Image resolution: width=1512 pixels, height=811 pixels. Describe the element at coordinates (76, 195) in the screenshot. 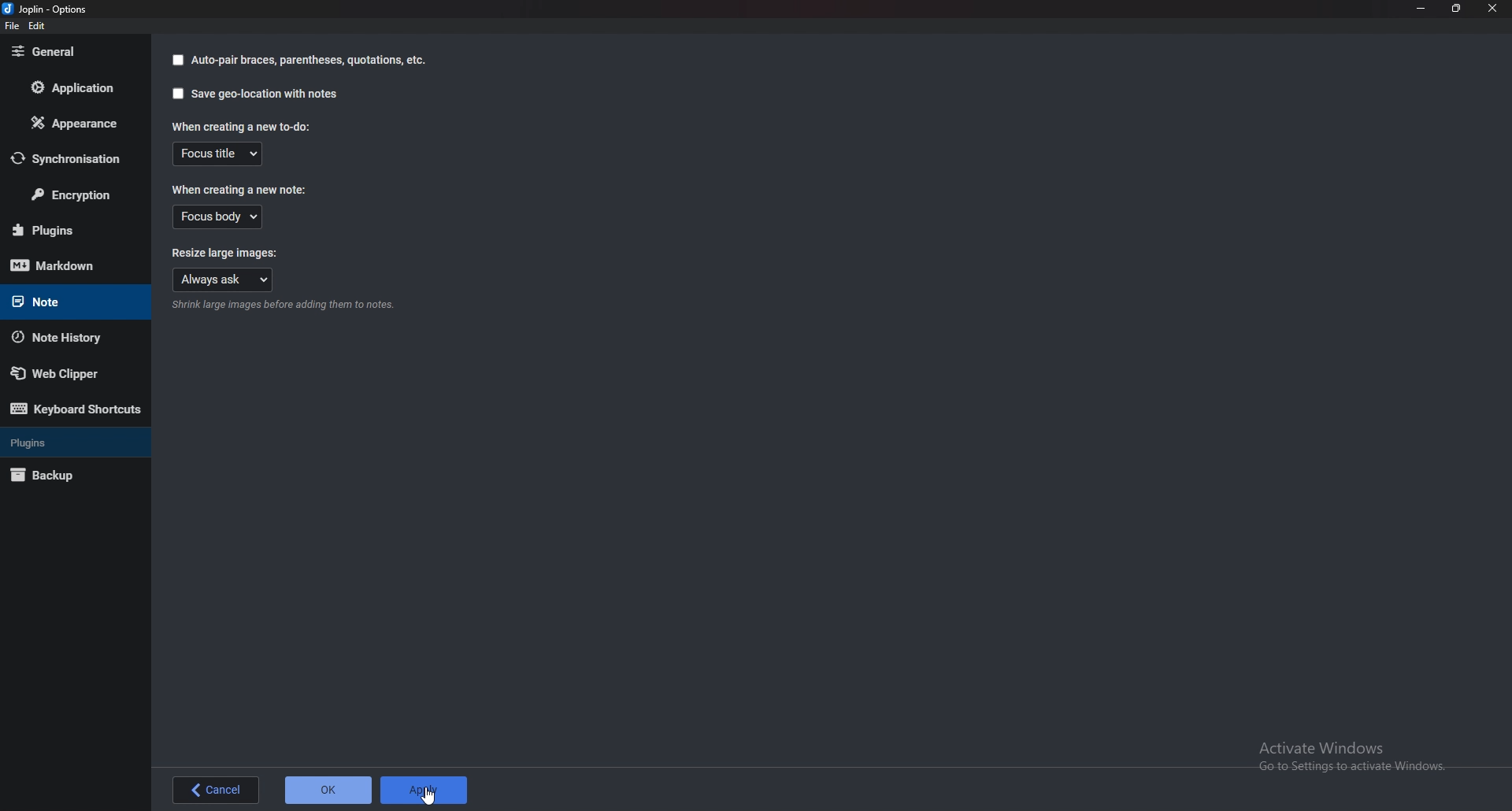

I see `Encryption` at that location.